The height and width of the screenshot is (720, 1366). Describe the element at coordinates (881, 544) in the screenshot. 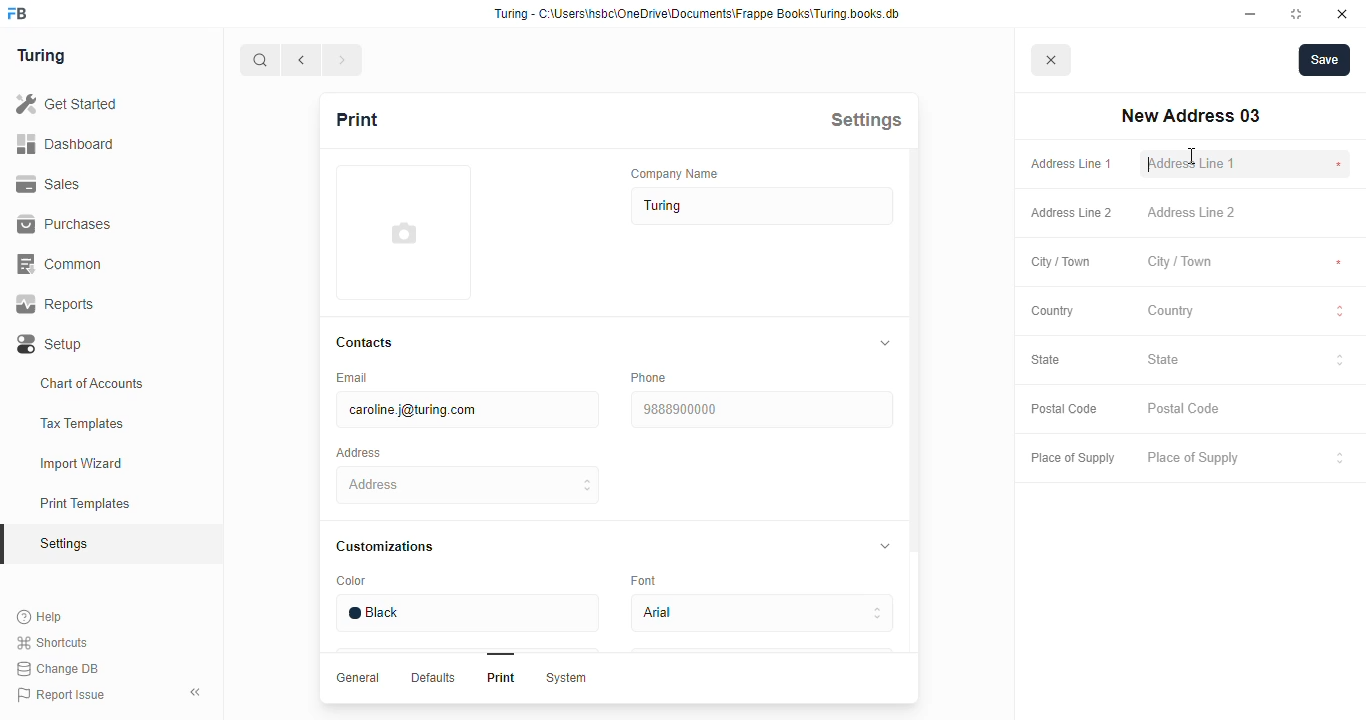

I see `toggle expand/collapse` at that location.